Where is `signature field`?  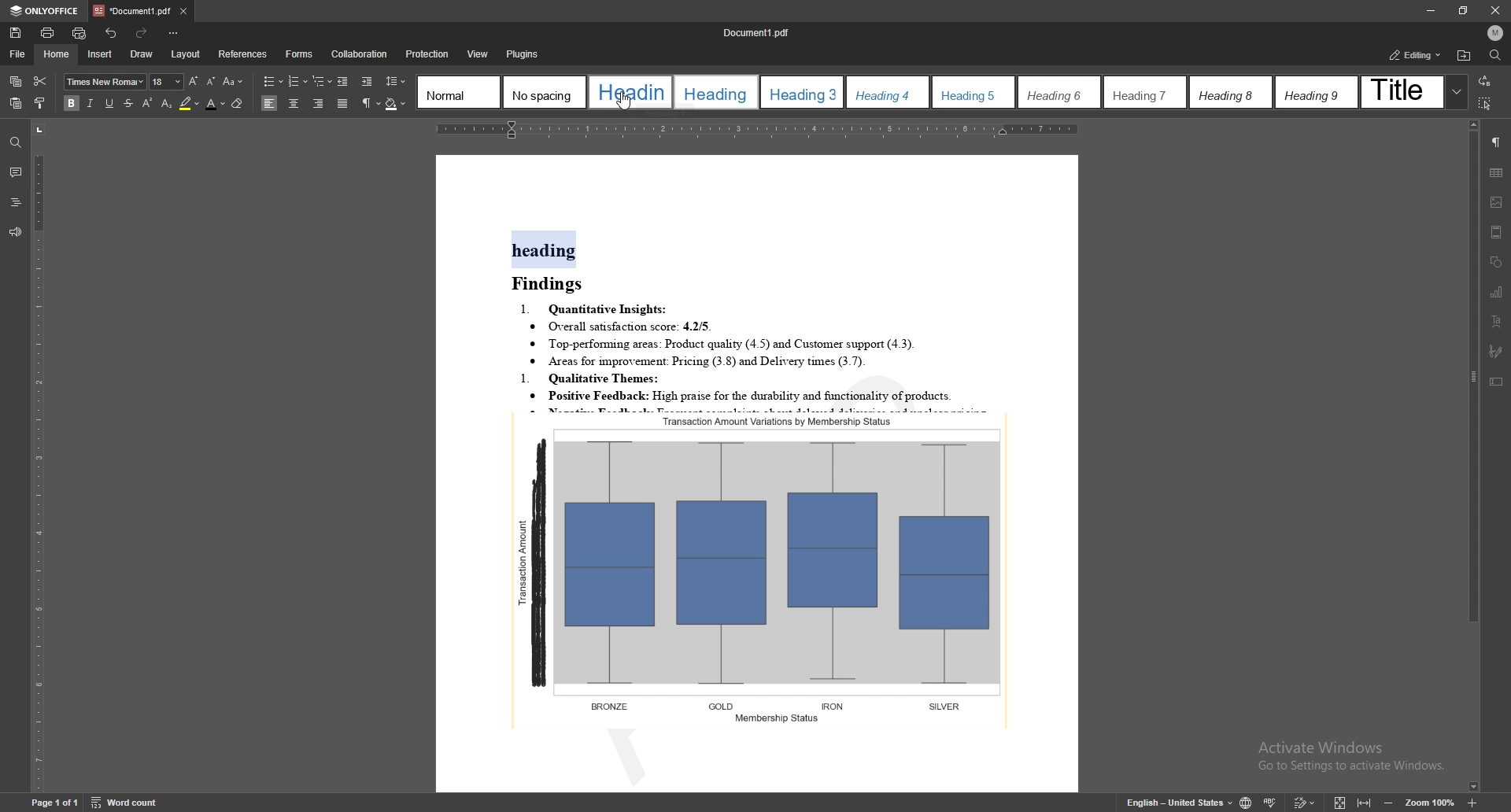
signature field is located at coordinates (1495, 352).